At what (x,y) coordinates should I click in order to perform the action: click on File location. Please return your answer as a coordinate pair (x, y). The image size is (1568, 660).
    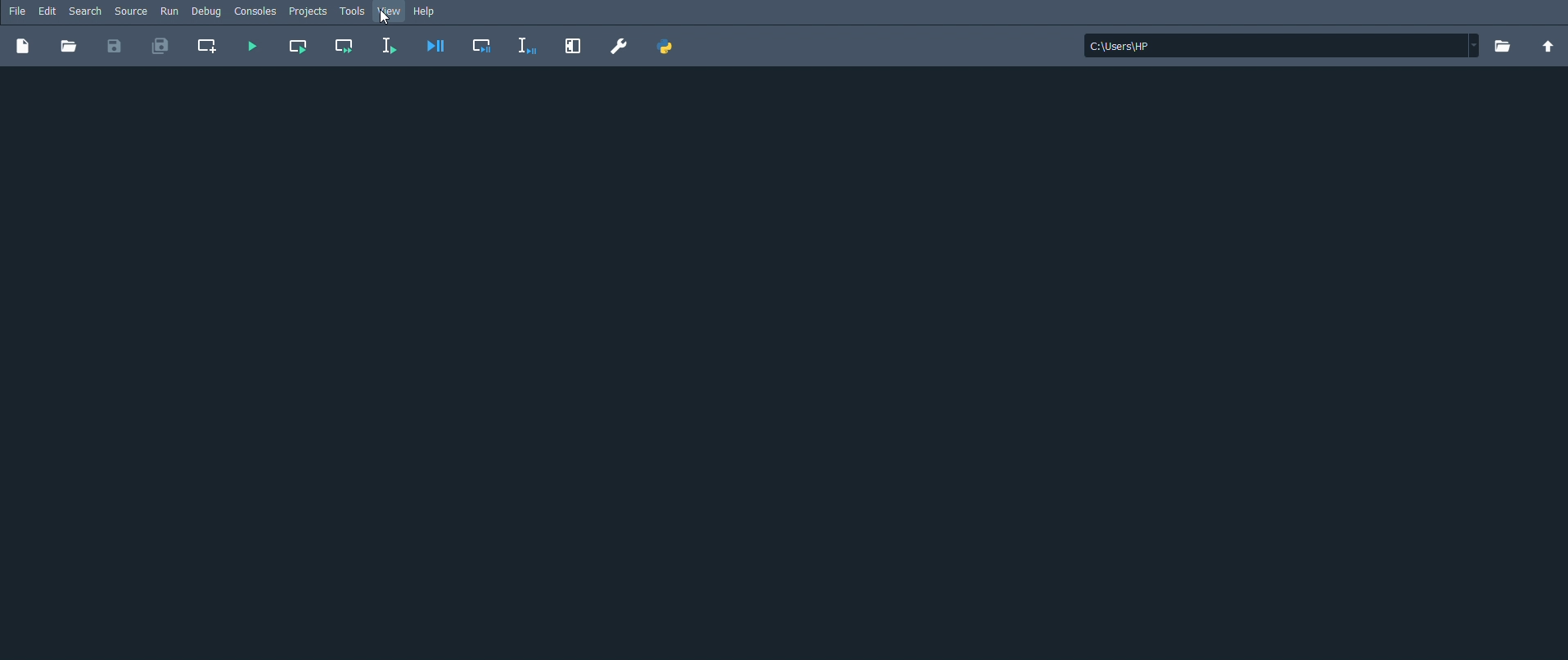
    Looking at the image, I should click on (1282, 45).